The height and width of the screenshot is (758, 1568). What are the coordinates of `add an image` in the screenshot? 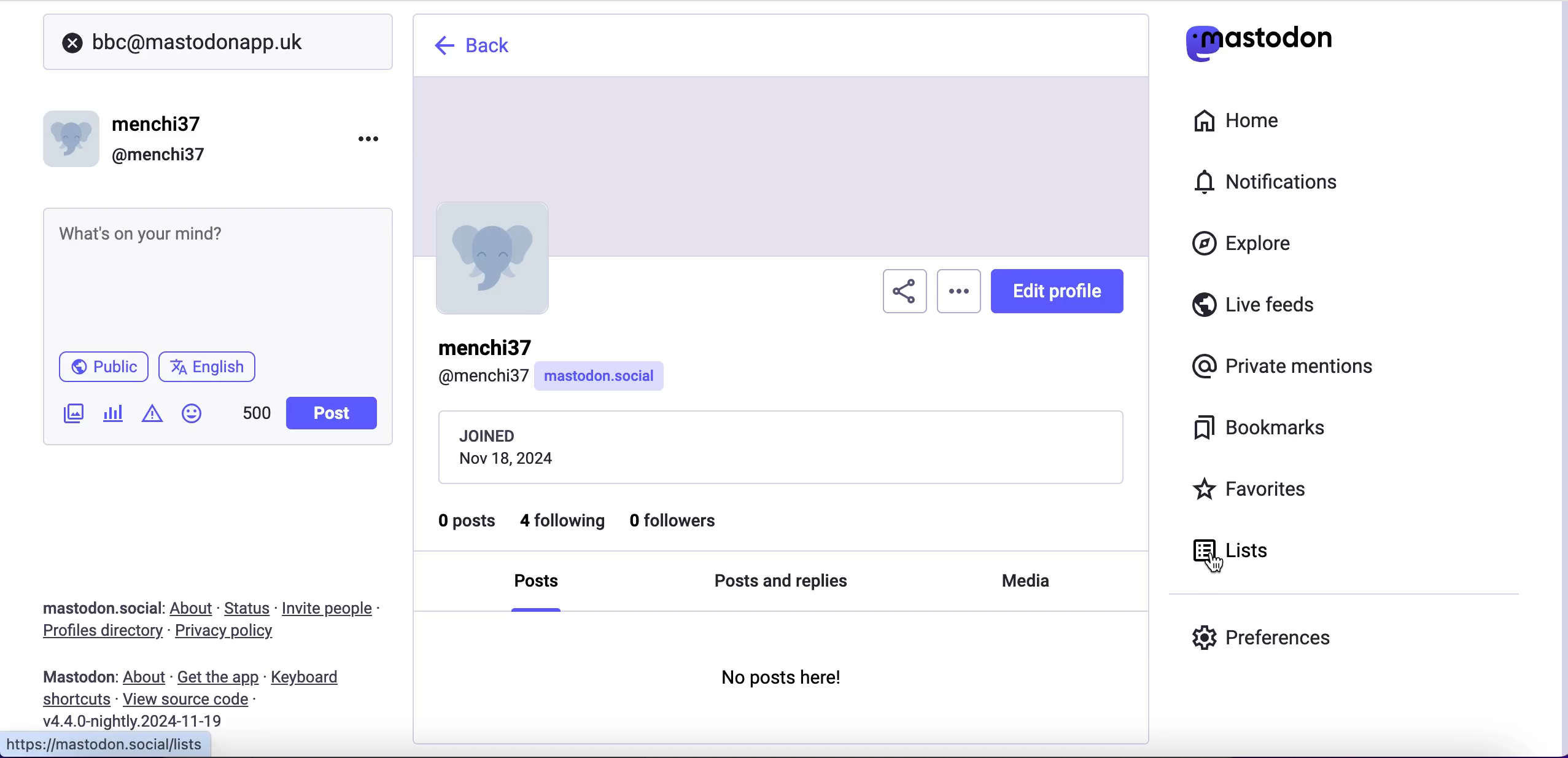 It's located at (72, 413).